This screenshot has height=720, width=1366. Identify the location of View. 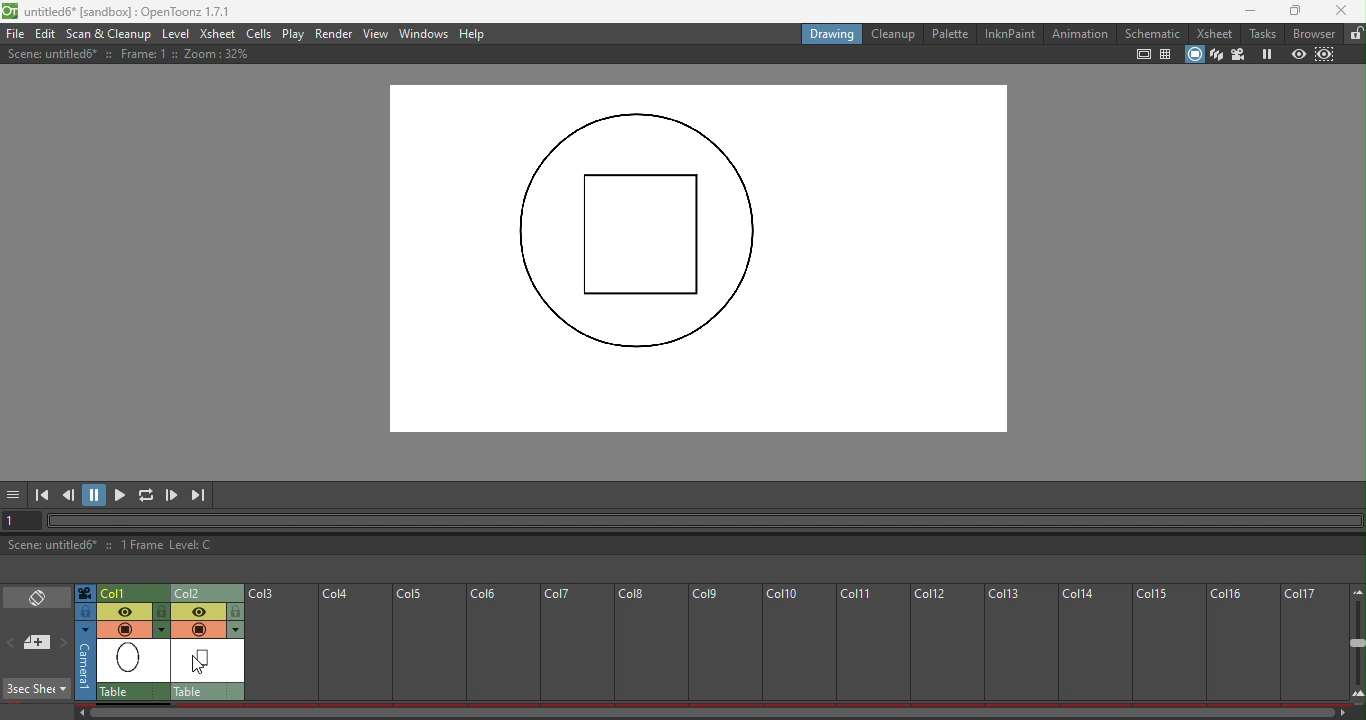
(376, 33).